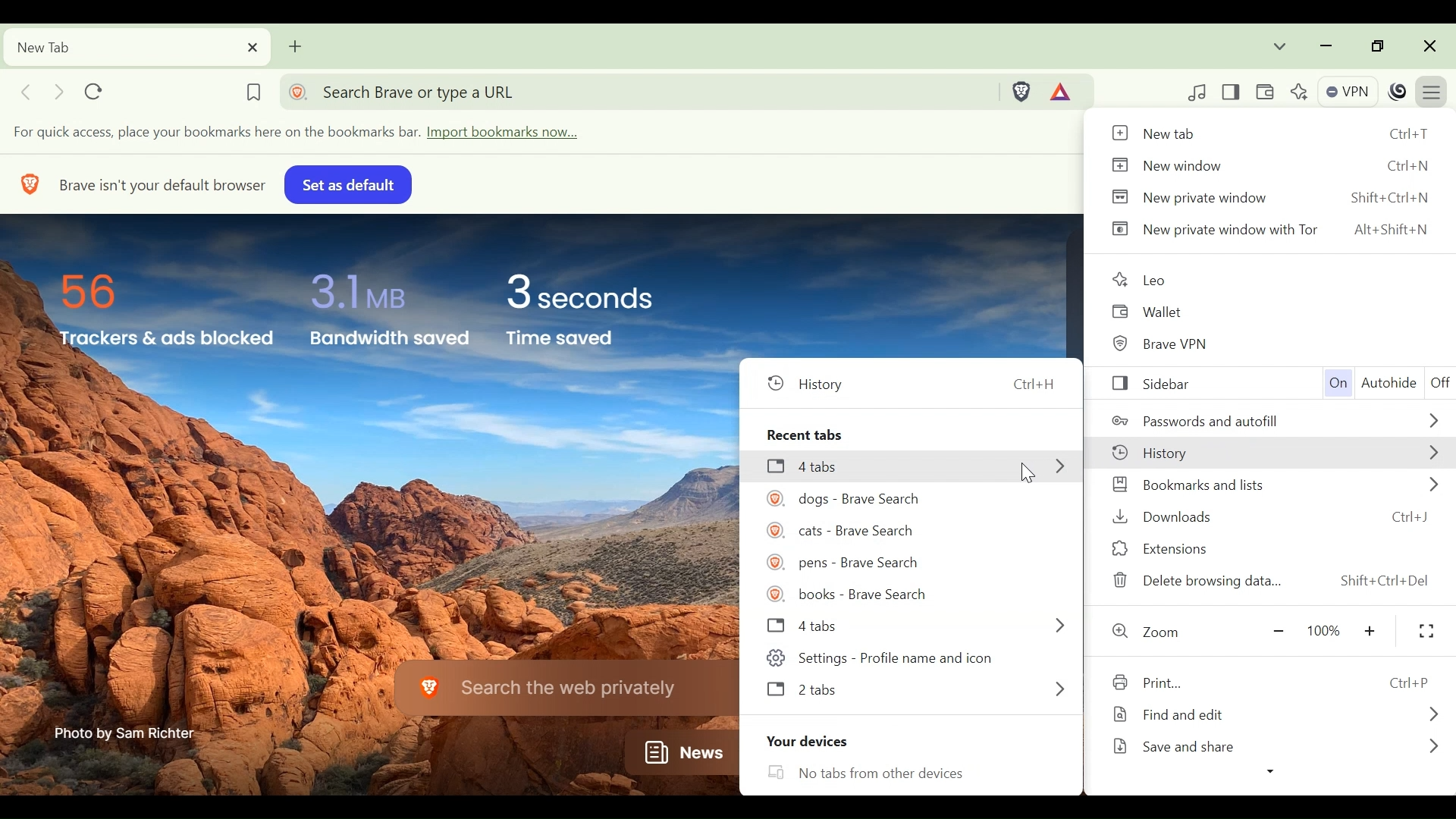 Image resolution: width=1456 pixels, height=819 pixels. Describe the element at coordinates (804, 741) in the screenshot. I see `Your devices` at that location.